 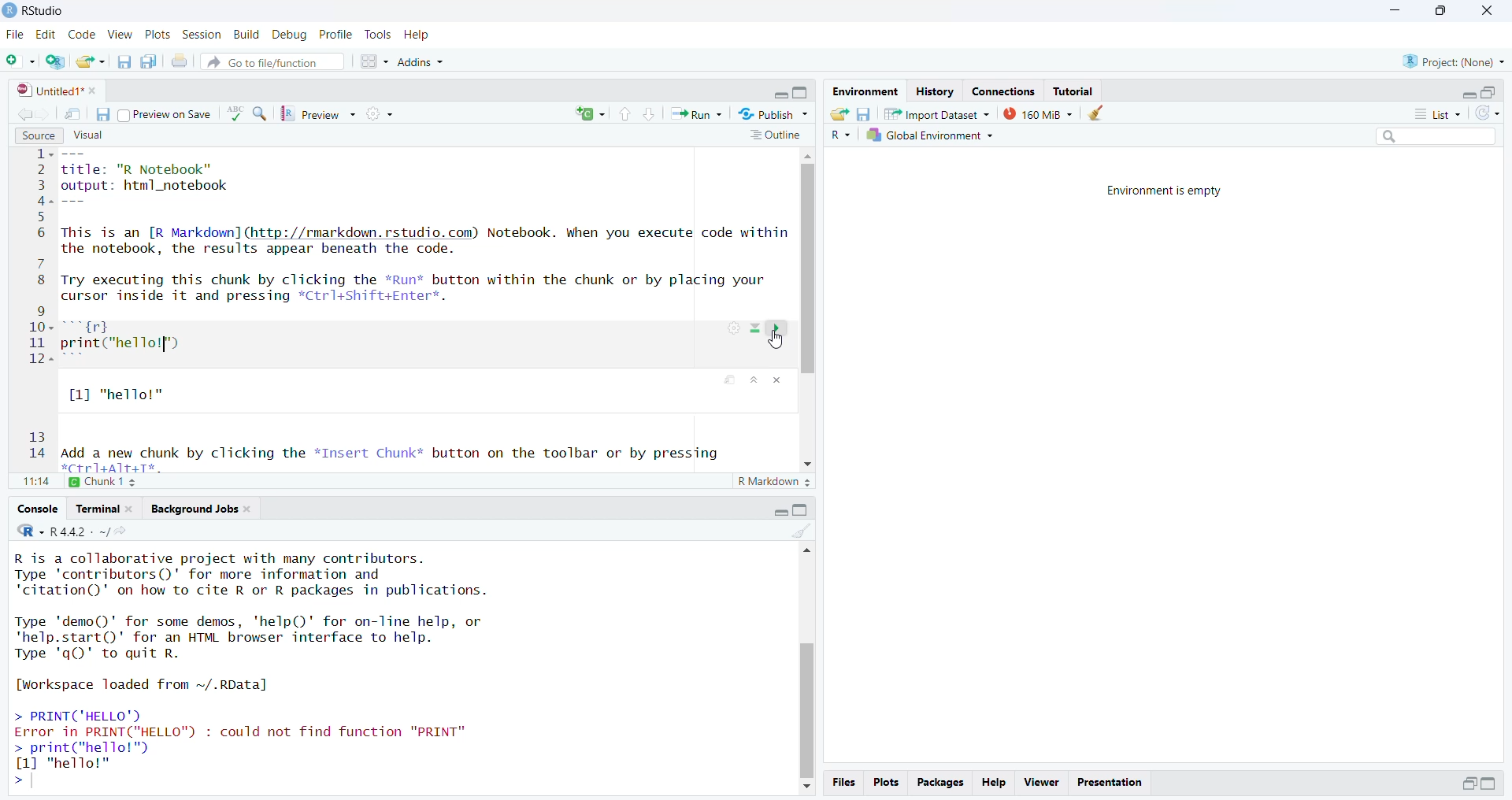 What do you see at coordinates (1430, 113) in the screenshot?
I see `list` at bounding box center [1430, 113].